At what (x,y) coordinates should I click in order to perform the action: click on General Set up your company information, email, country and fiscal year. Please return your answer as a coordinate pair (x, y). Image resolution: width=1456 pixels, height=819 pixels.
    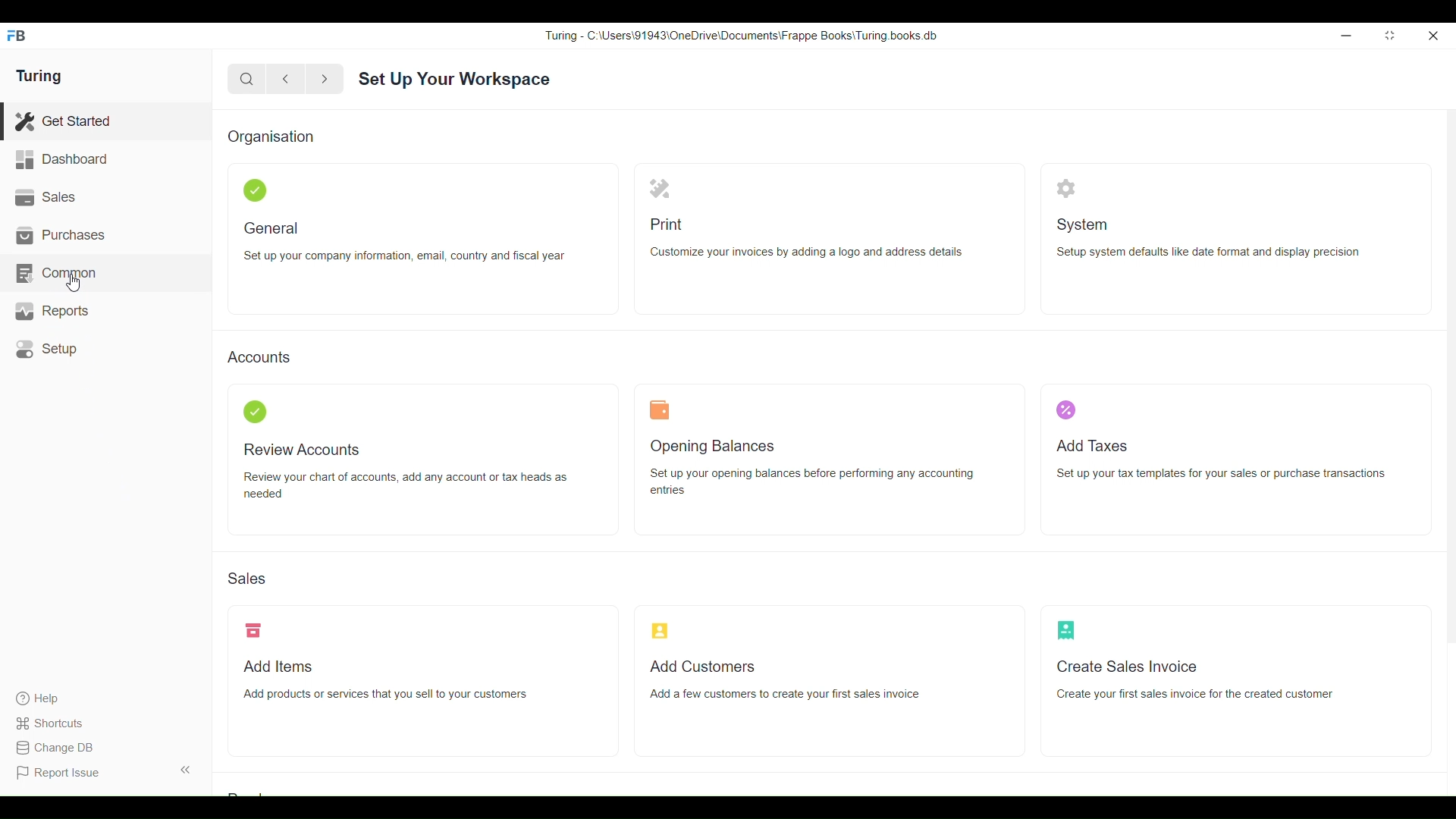
    Looking at the image, I should click on (404, 241).